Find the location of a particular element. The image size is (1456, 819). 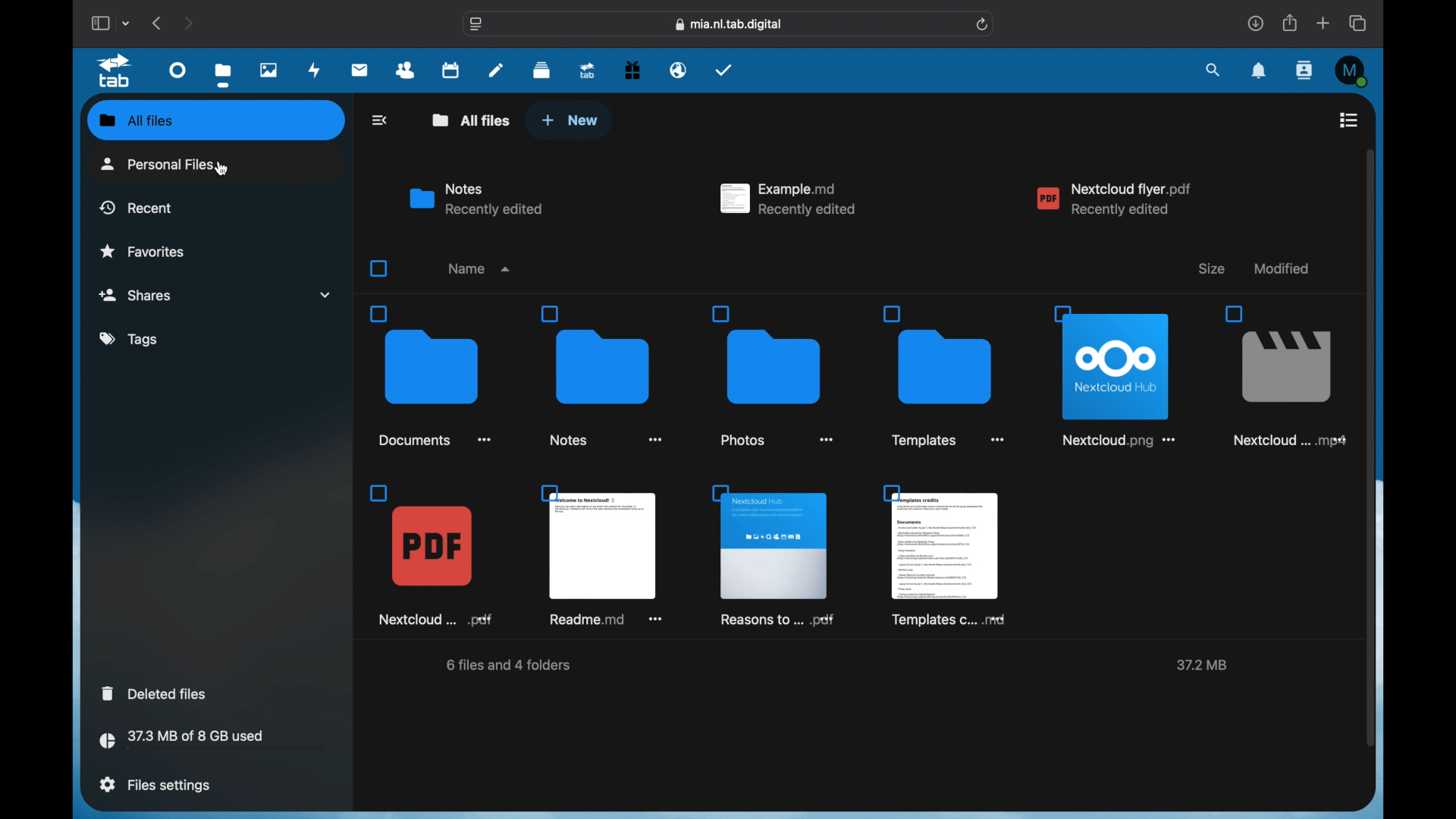

personal files is located at coordinates (163, 164).